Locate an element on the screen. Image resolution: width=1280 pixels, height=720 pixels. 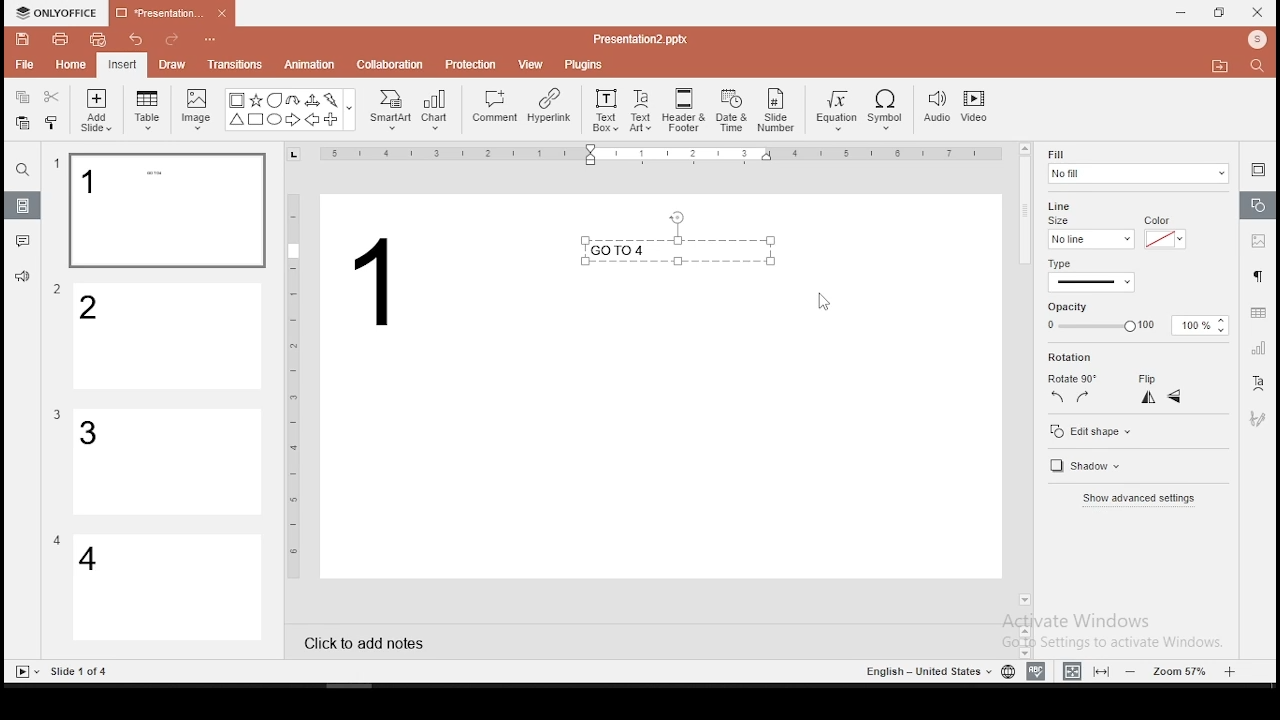
add slide is located at coordinates (96, 110).